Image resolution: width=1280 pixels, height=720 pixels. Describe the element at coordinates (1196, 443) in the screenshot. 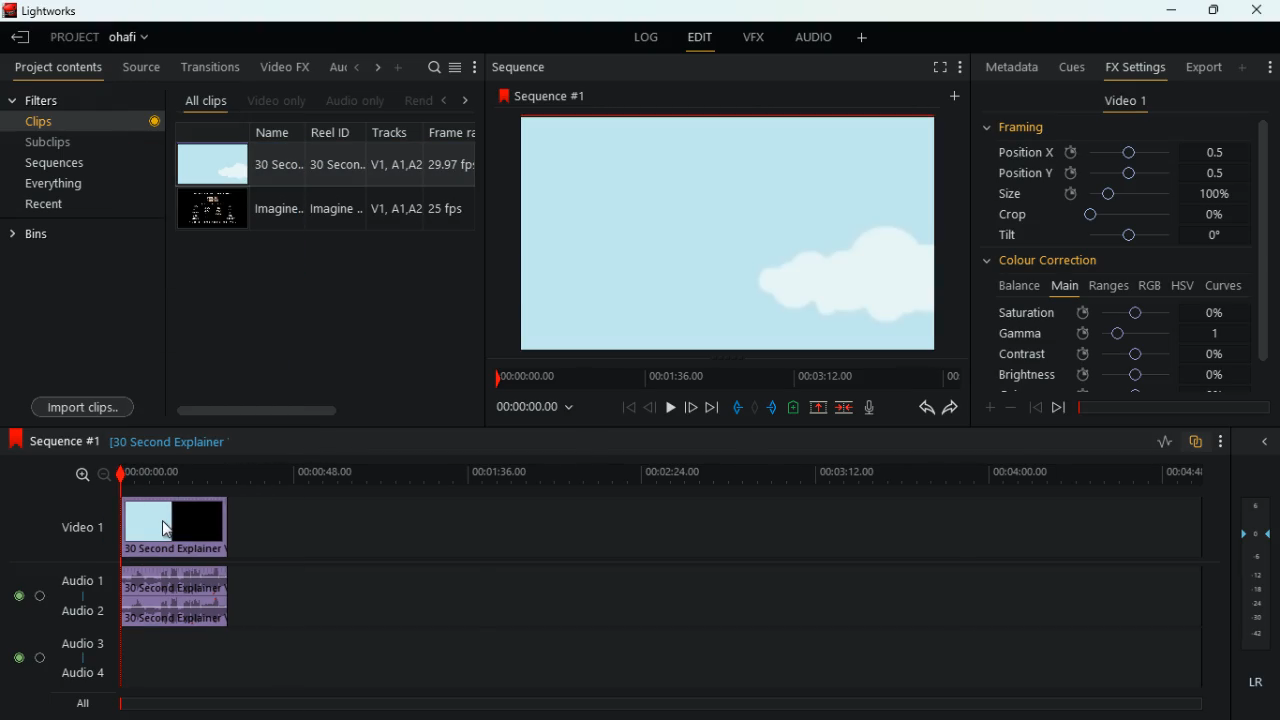

I see `overlap` at that location.